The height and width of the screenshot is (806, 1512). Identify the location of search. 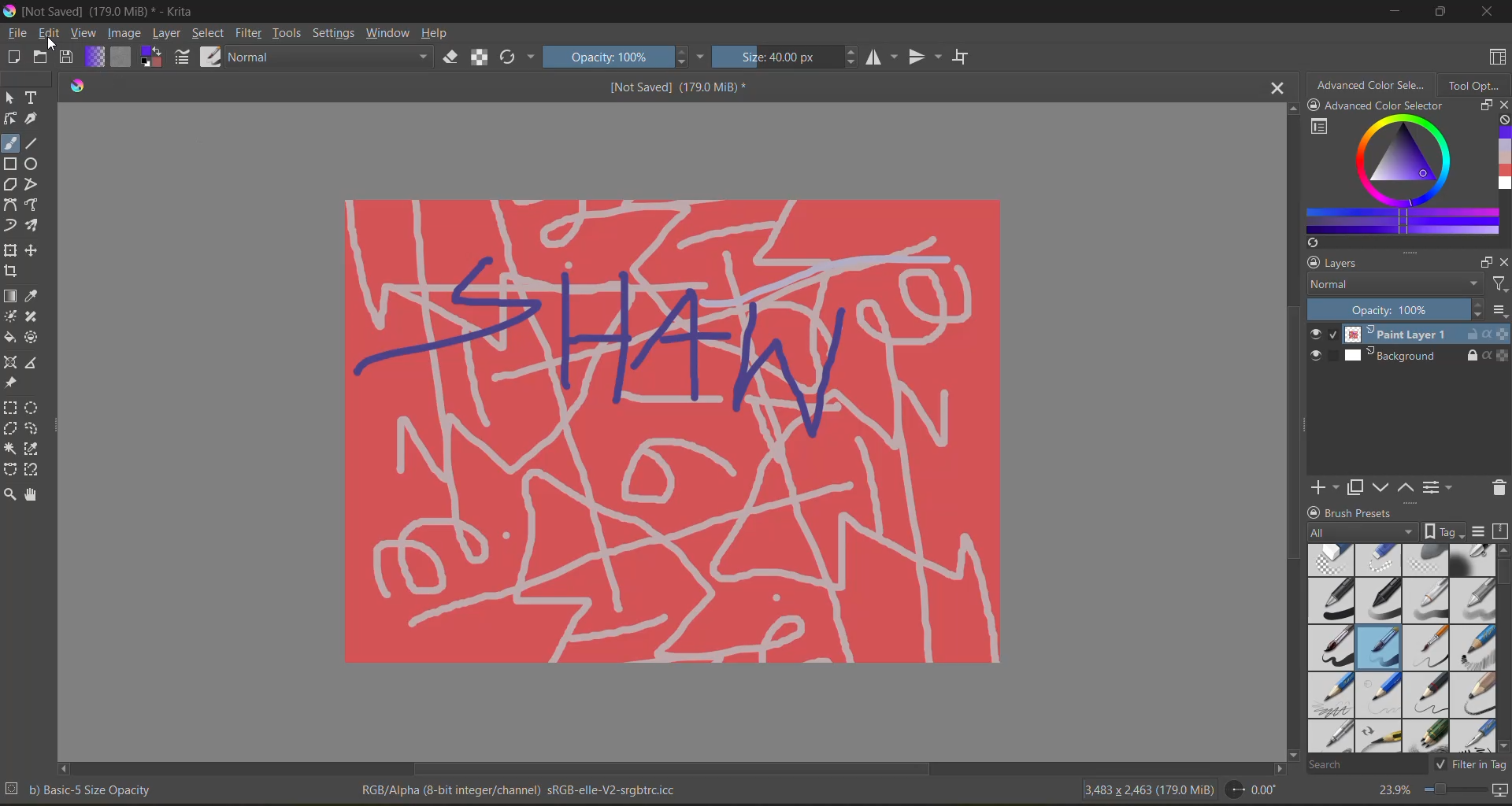
(1368, 766).